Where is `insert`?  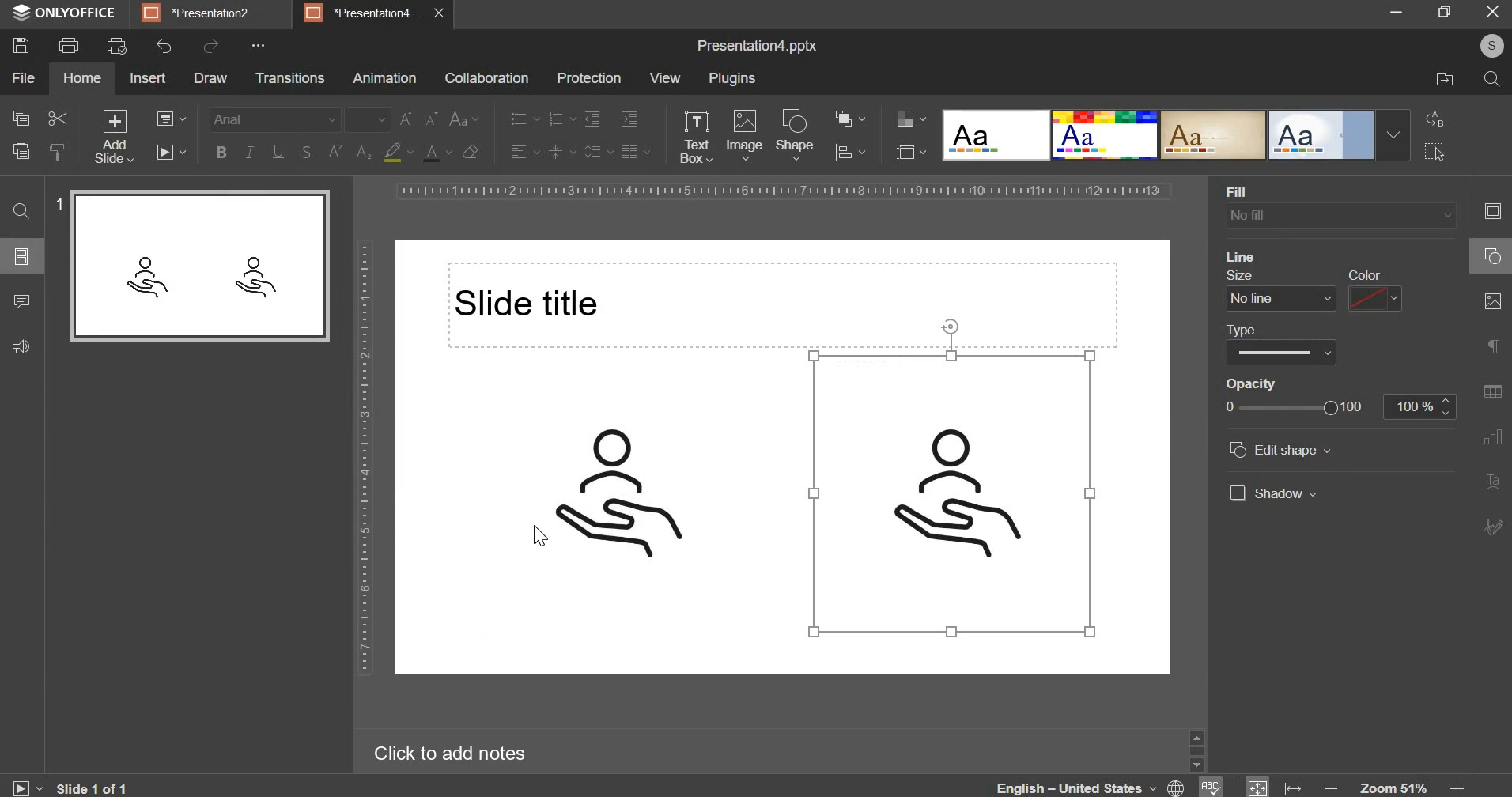 insert is located at coordinates (148, 79).